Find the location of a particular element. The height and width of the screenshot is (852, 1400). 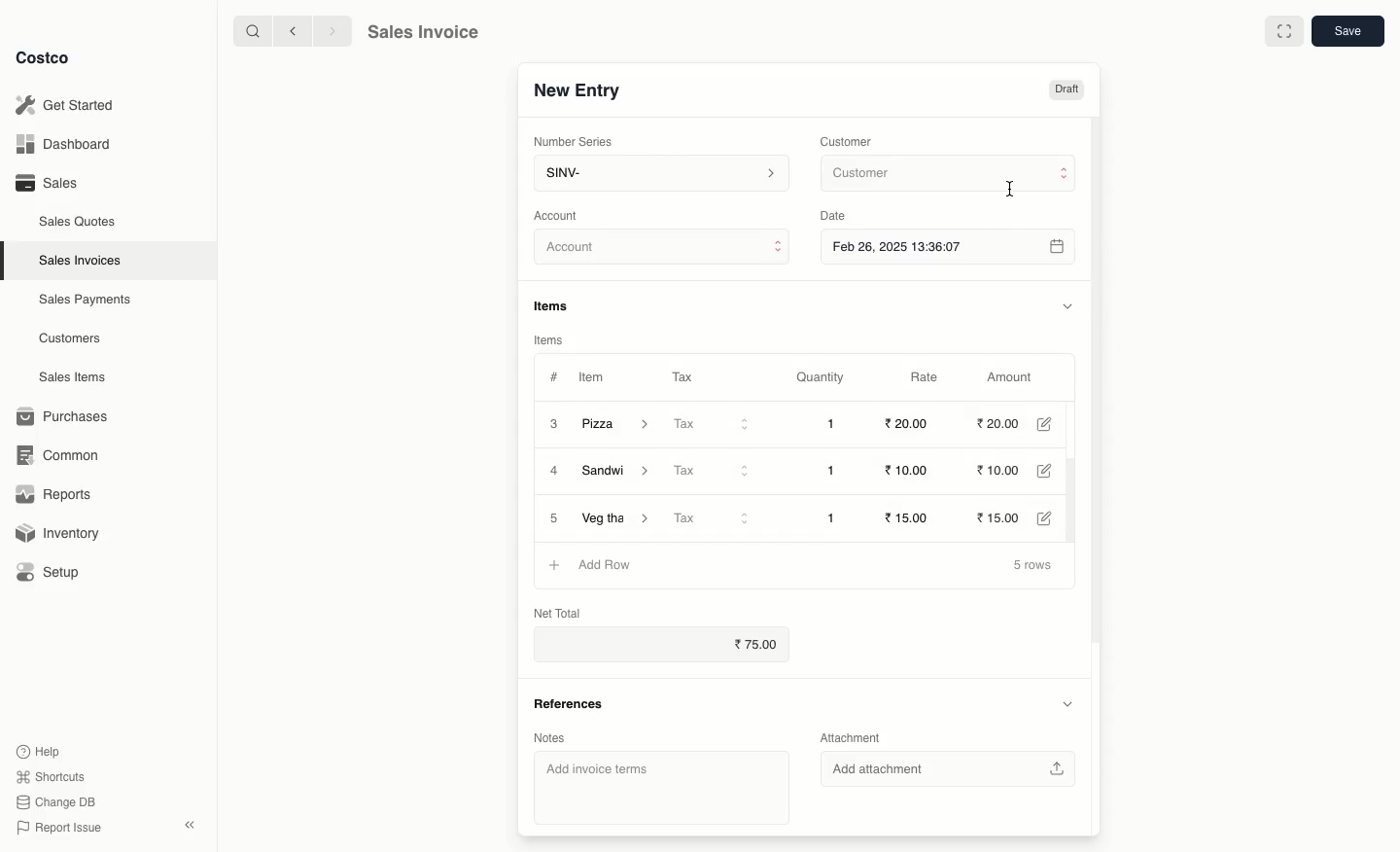

Purchases is located at coordinates (67, 416).